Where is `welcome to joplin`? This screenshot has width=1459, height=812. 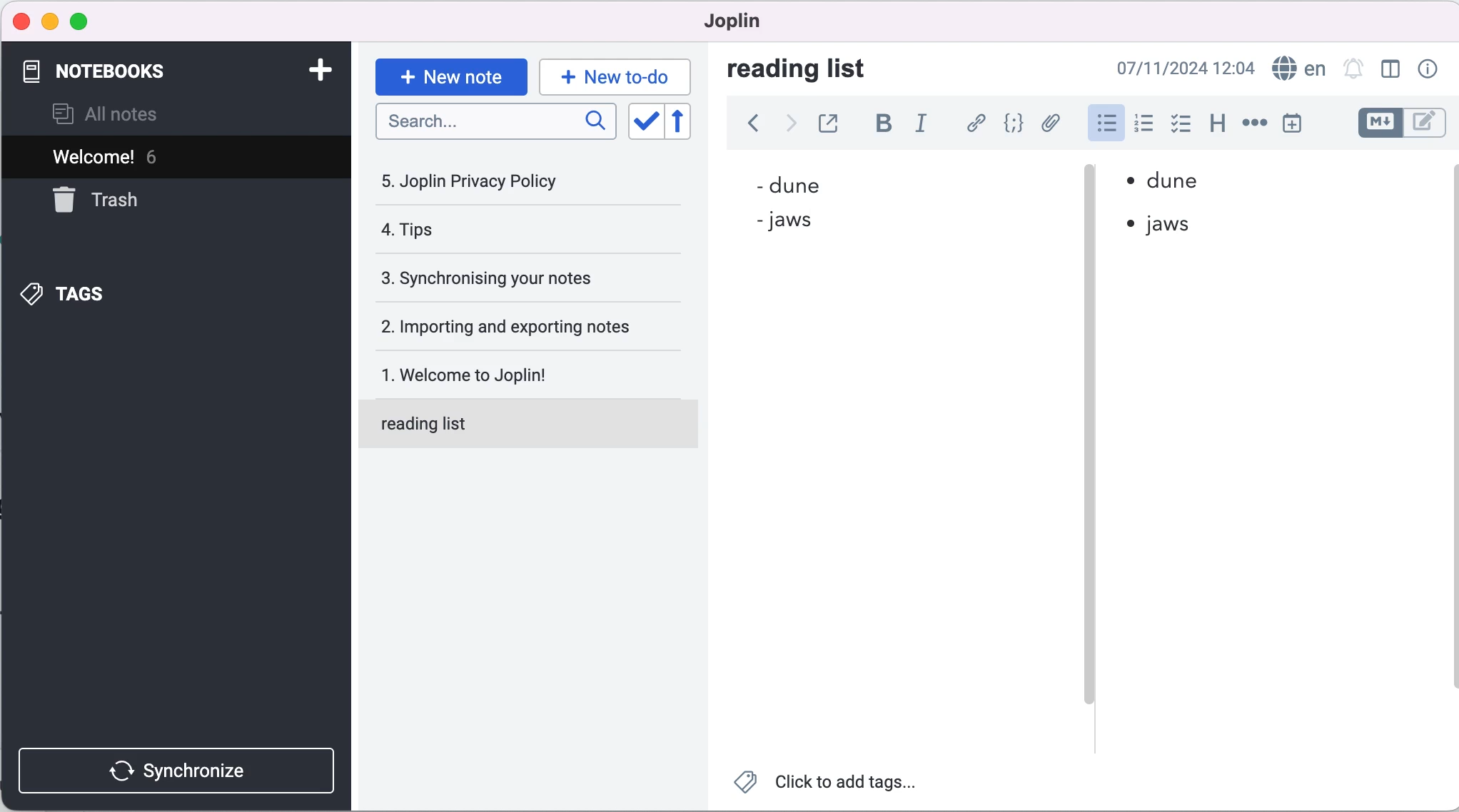 welcome to joplin is located at coordinates (532, 367).